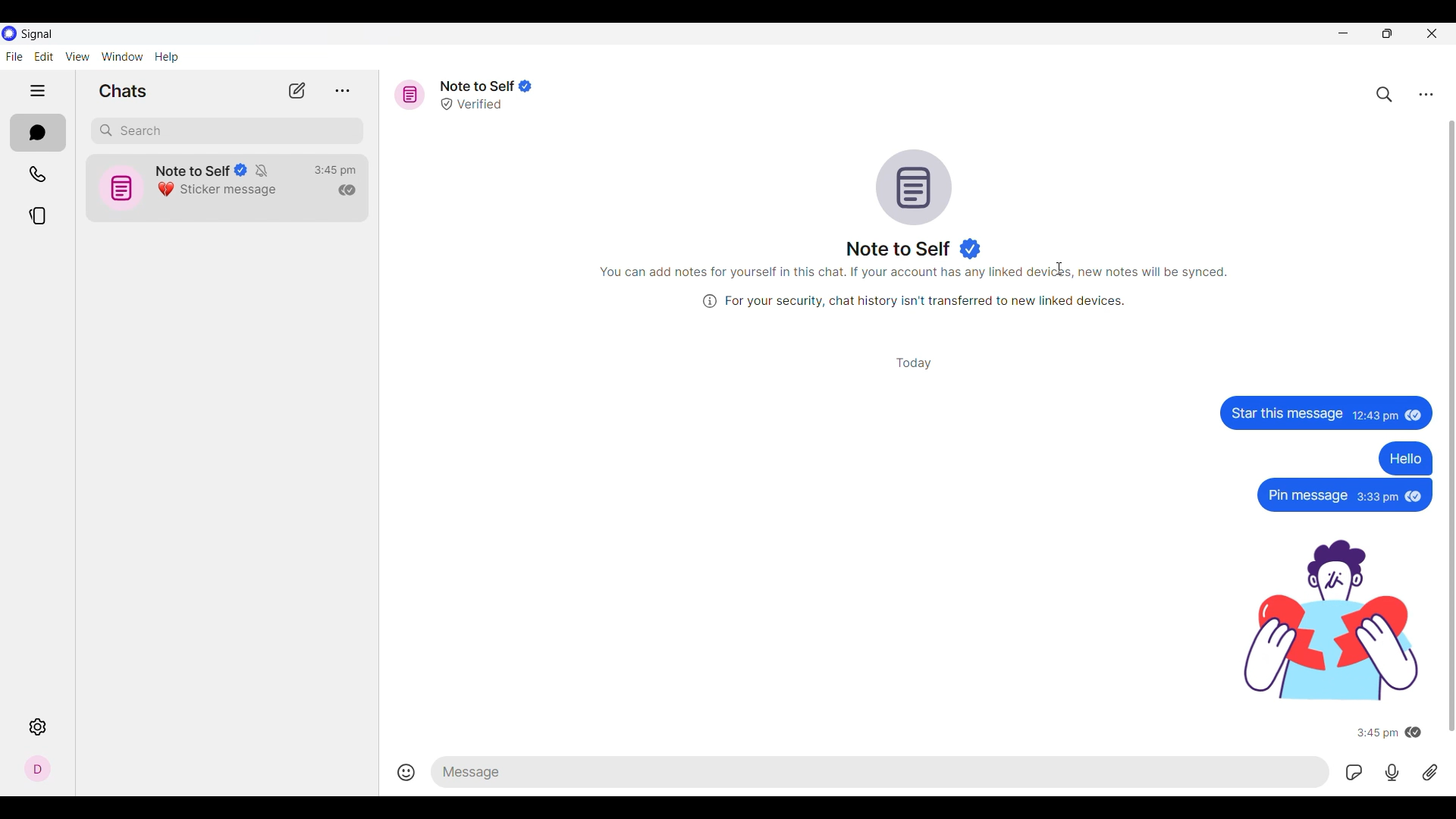  What do you see at coordinates (227, 130) in the screenshot?
I see `Search chat` at bounding box center [227, 130].